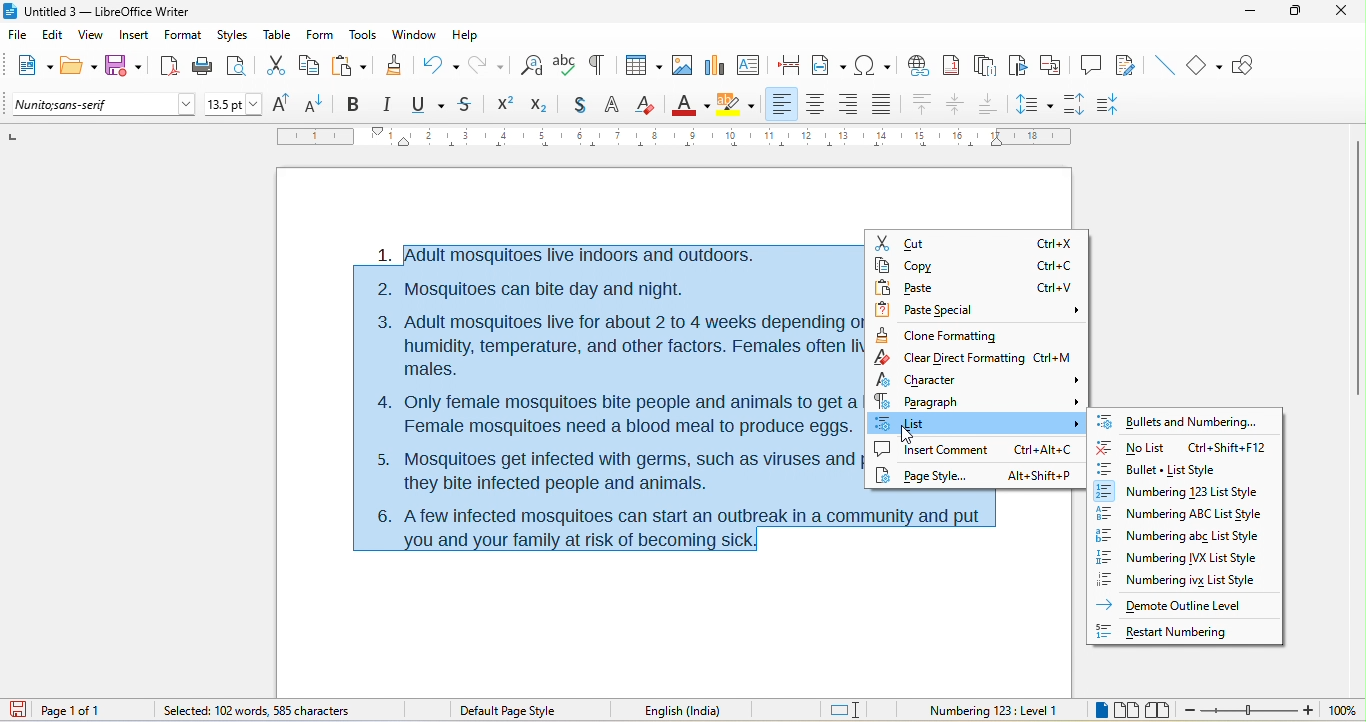 Image resolution: width=1366 pixels, height=722 pixels. Describe the element at coordinates (976, 239) in the screenshot. I see `cut` at that location.